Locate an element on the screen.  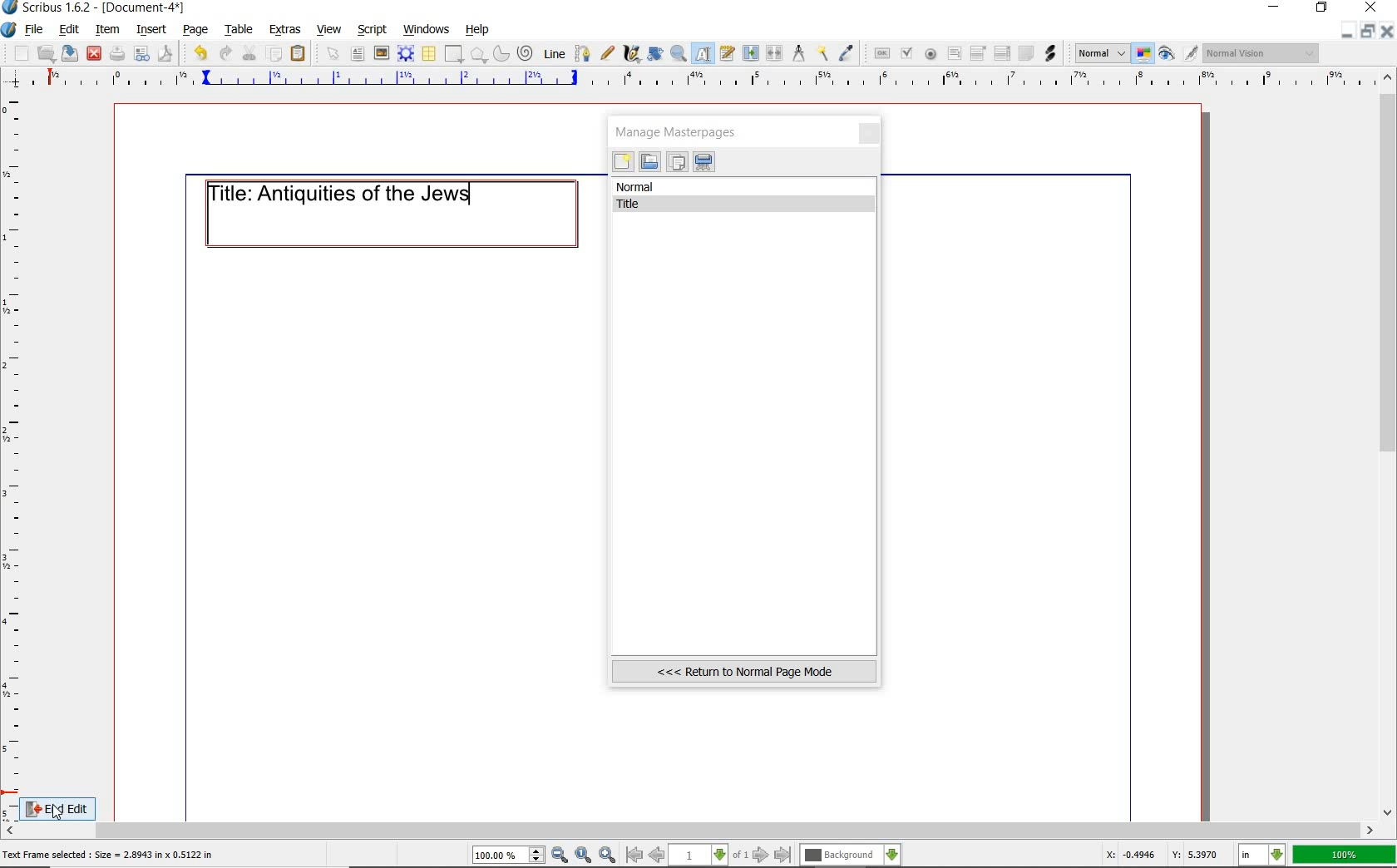
help is located at coordinates (478, 30).